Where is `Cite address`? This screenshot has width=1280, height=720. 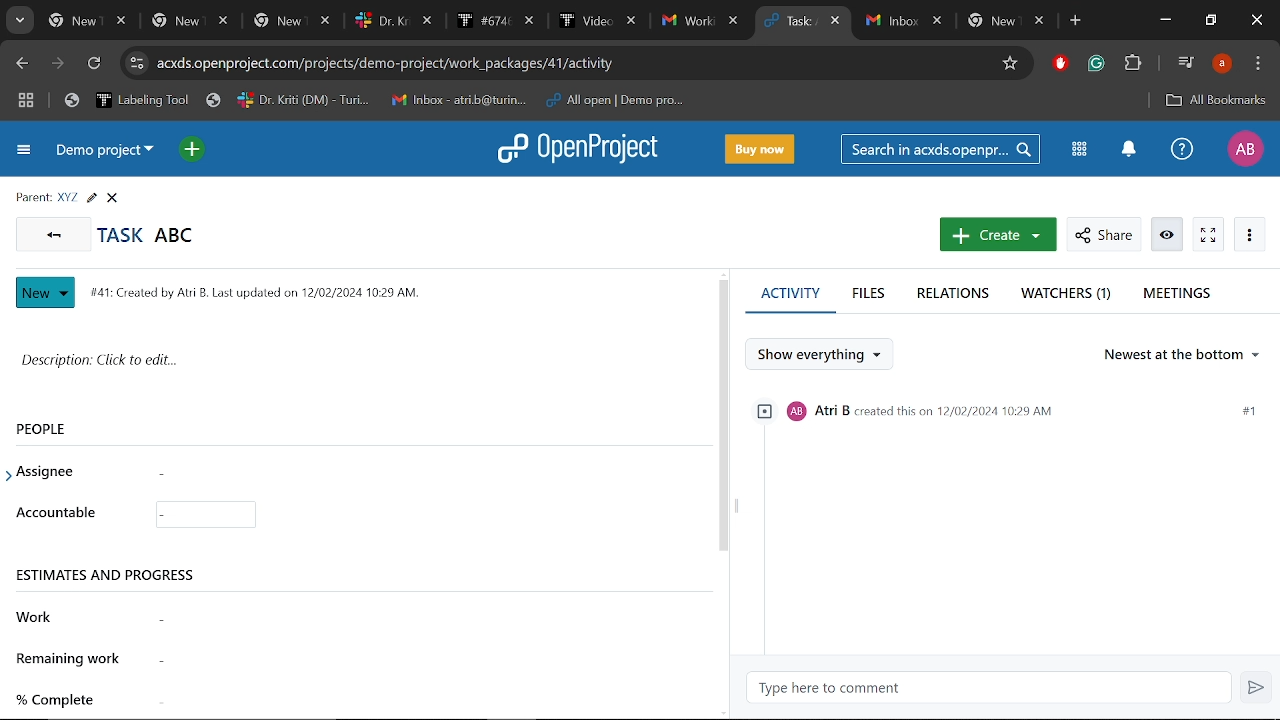 Cite address is located at coordinates (573, 63).